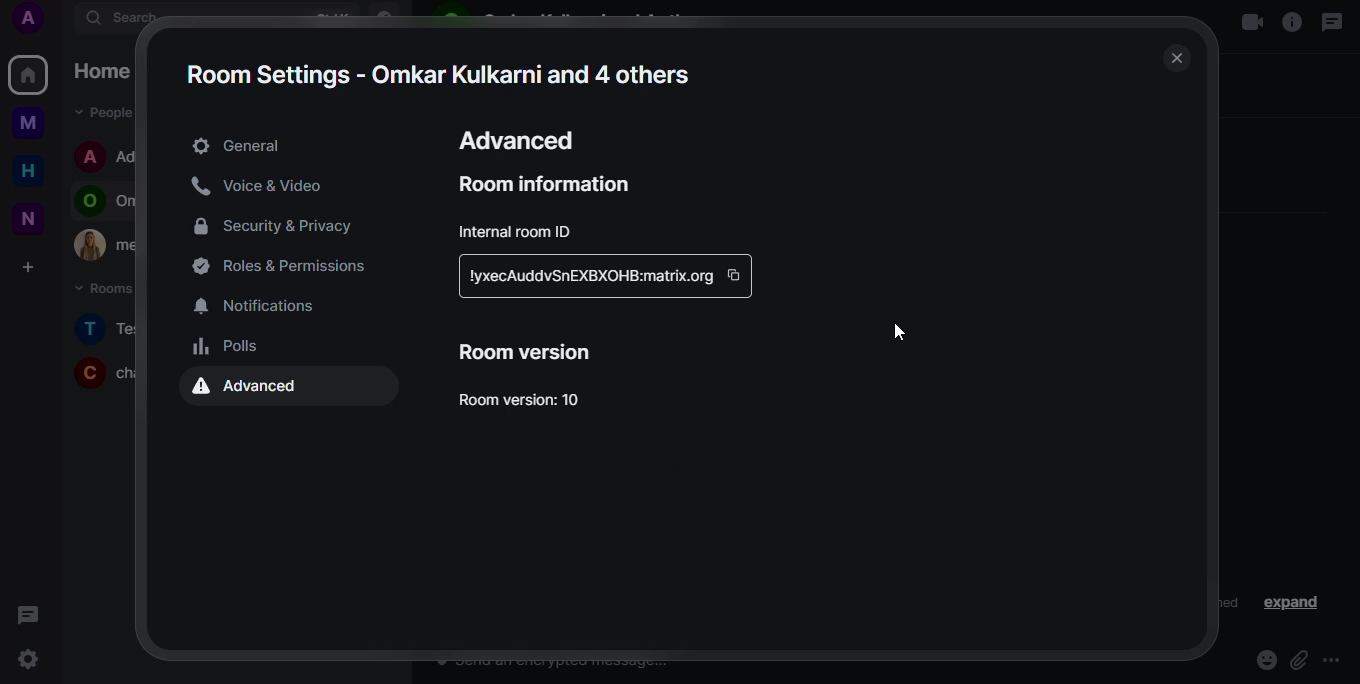 The width and height of the screenshot is (1360, 684). Describe the element at coordinates (588, 276) in the screenshot. I see `server info` at that location.